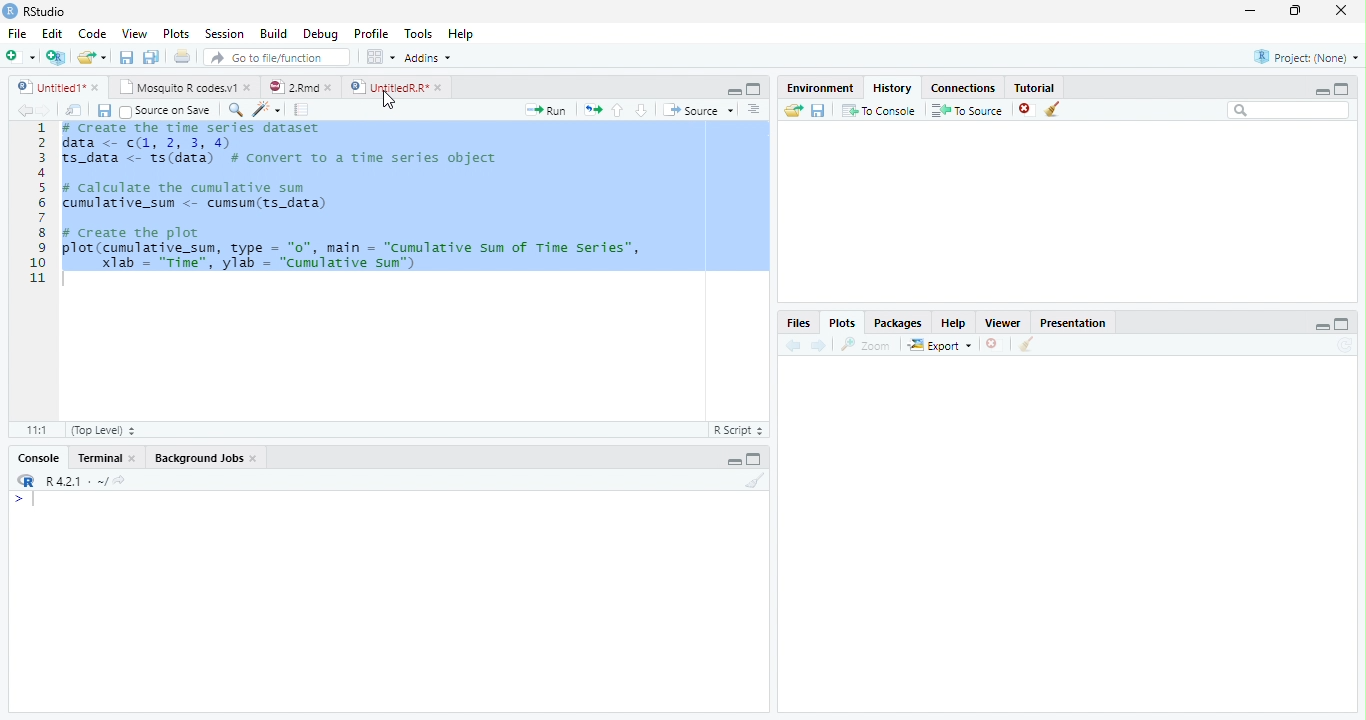  I want to click on Save, so click(102, 109).